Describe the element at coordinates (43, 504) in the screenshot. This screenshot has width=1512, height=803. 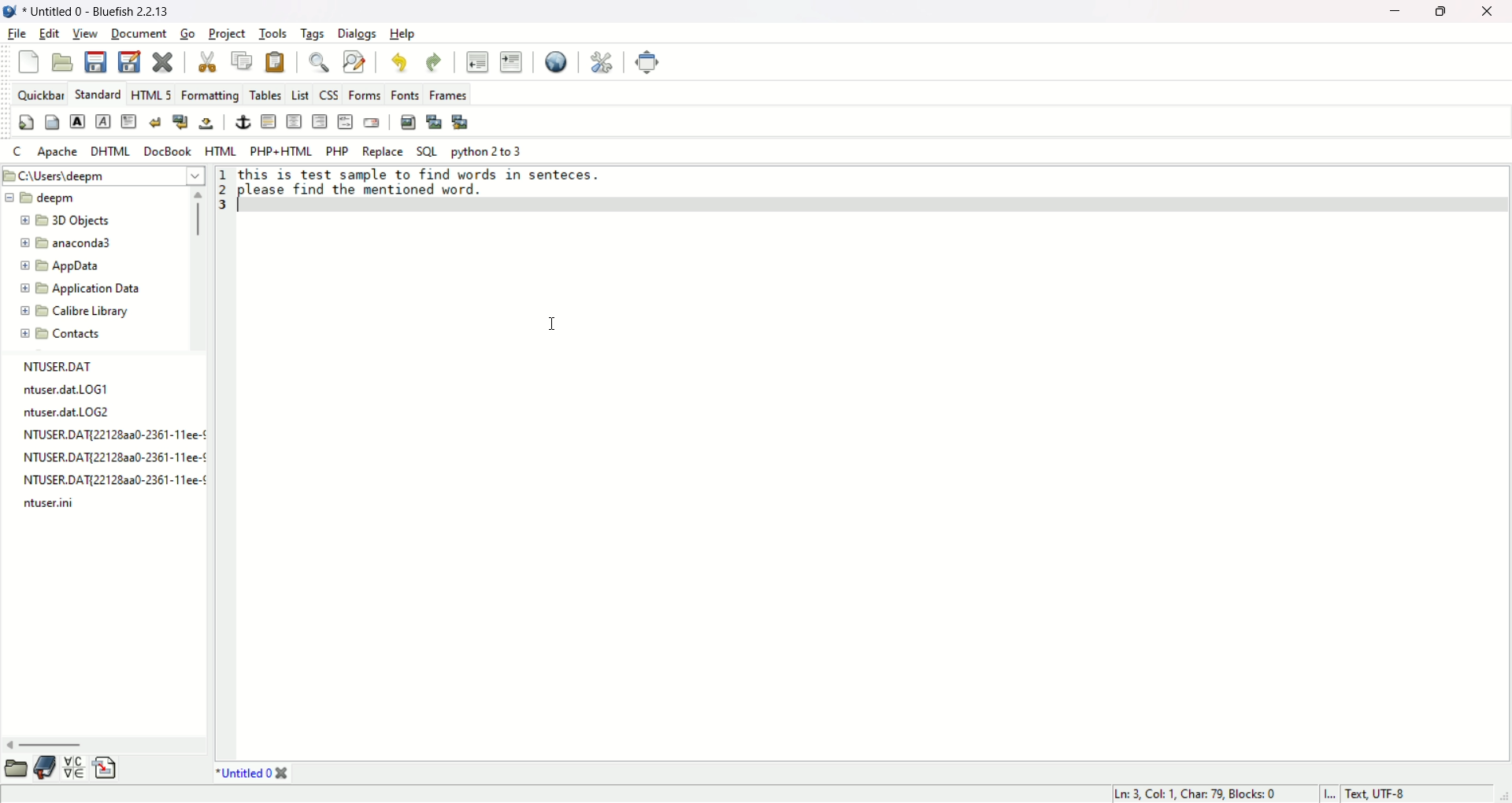
I see `ntuser.ini` at that location.